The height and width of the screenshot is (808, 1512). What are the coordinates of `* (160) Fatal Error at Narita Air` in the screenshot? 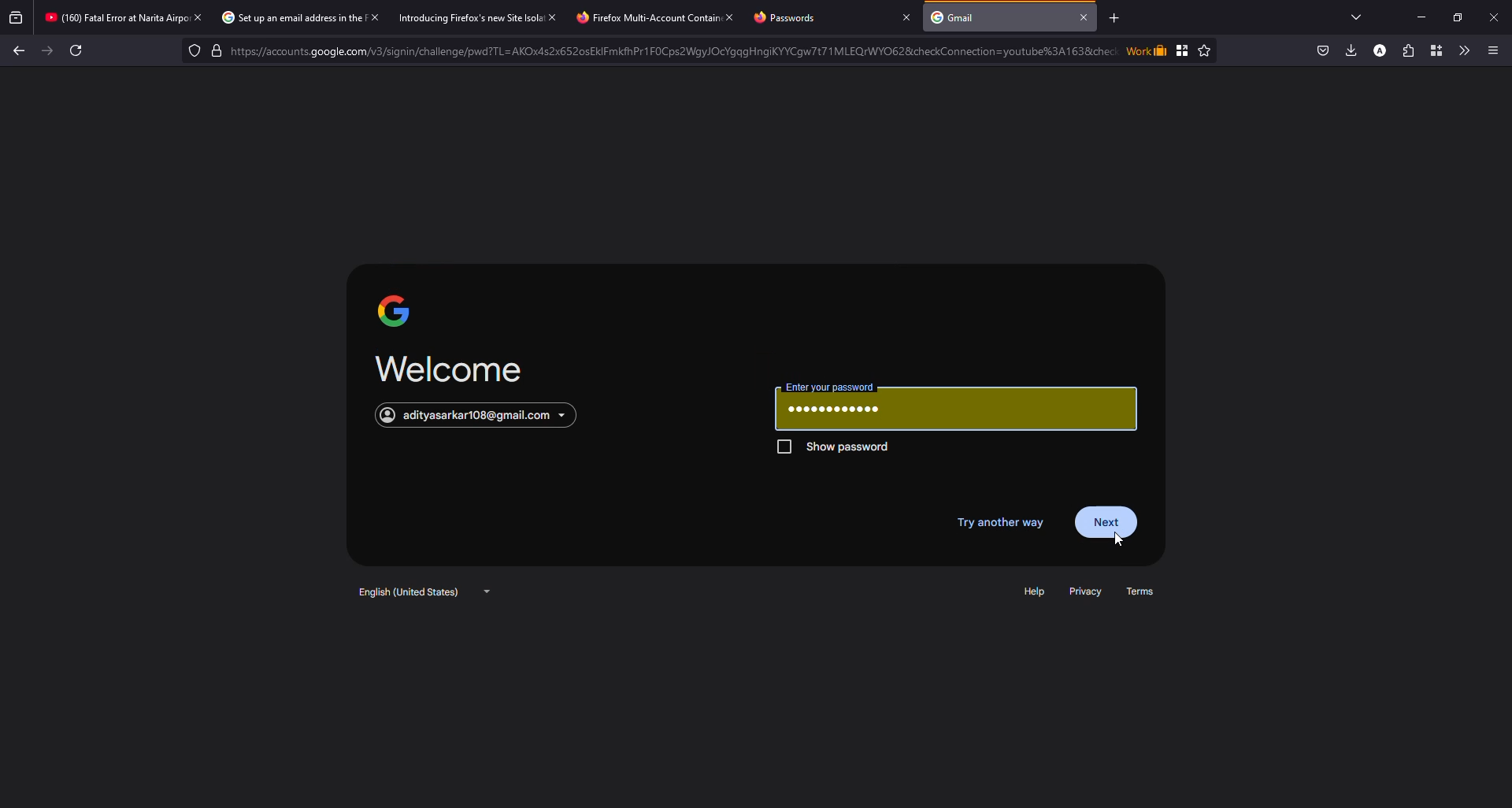 It's located at (110, 18).